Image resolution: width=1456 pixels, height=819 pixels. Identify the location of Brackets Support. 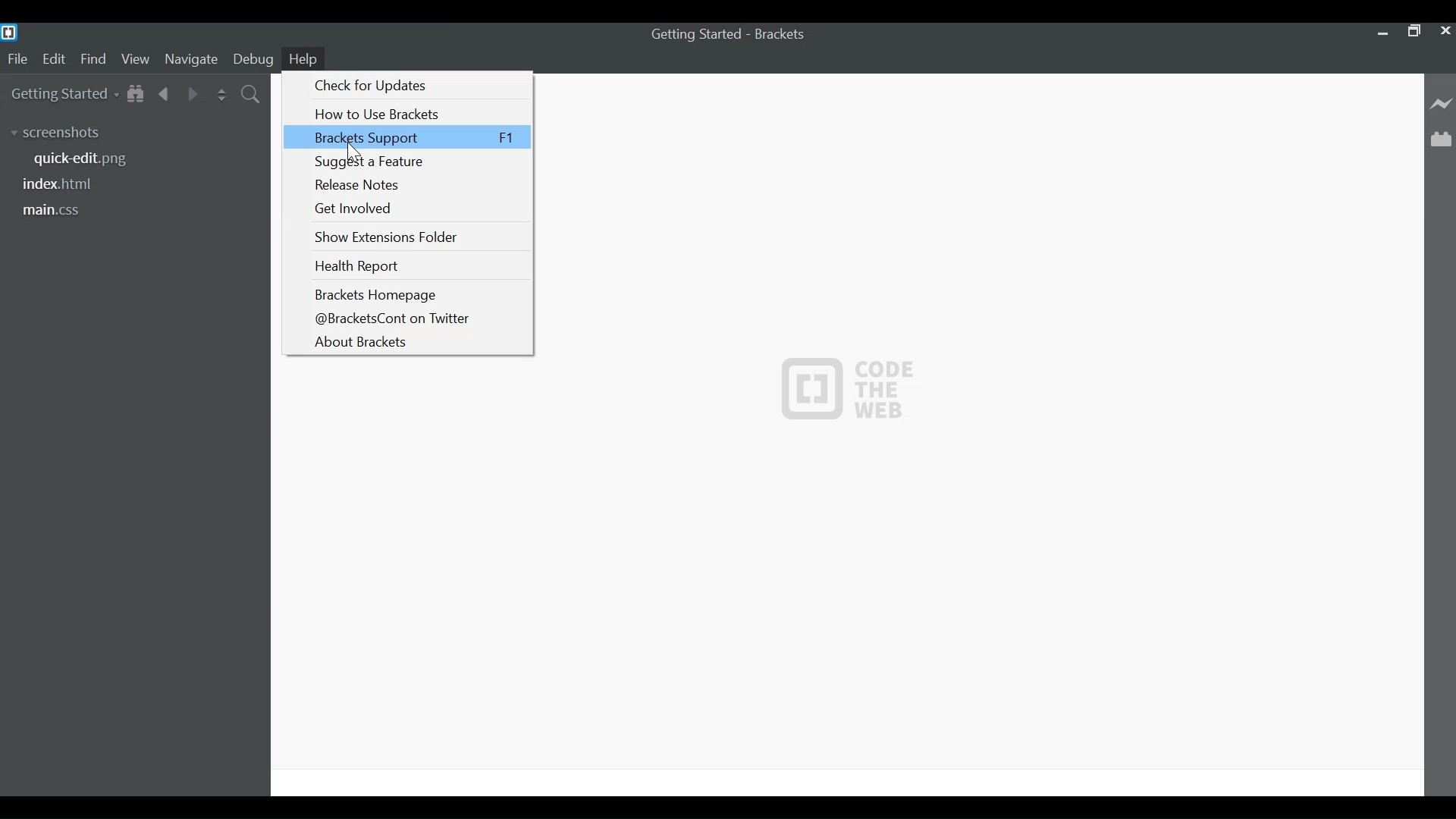
(407, 137).